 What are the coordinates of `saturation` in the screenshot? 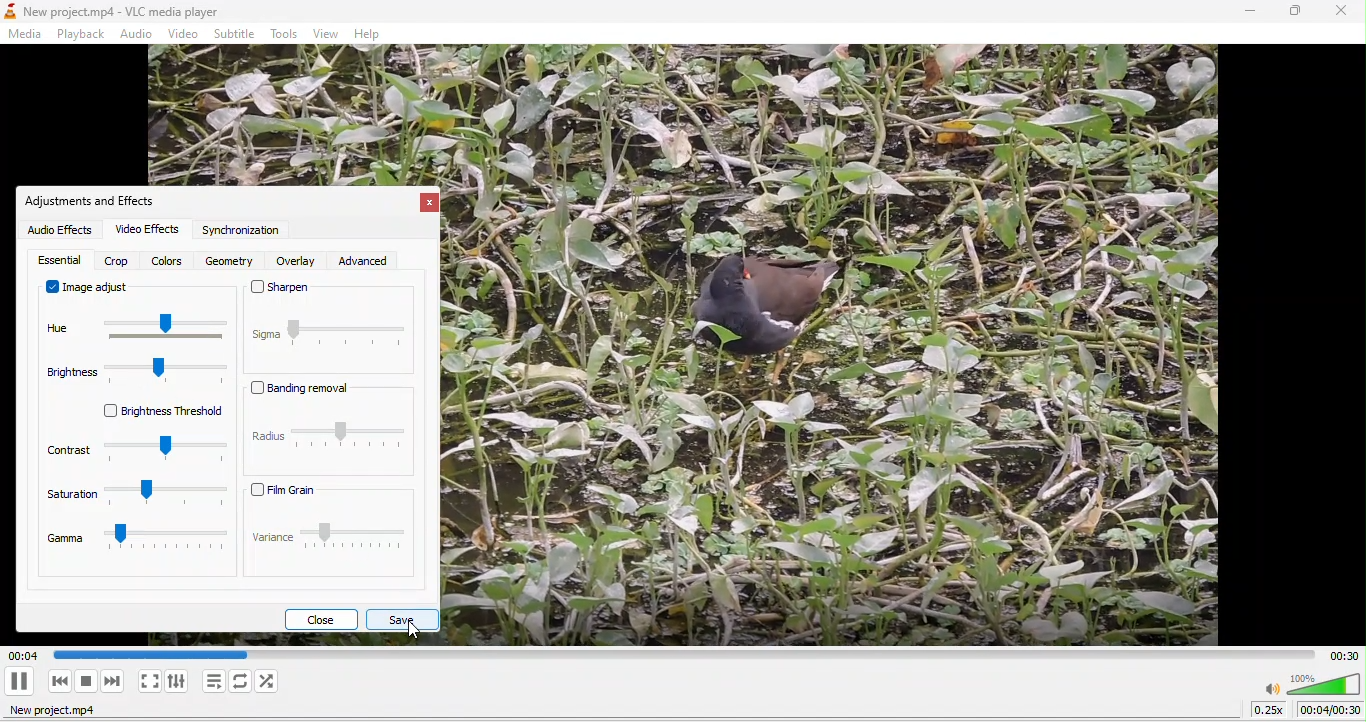 It's located at (134, 500).